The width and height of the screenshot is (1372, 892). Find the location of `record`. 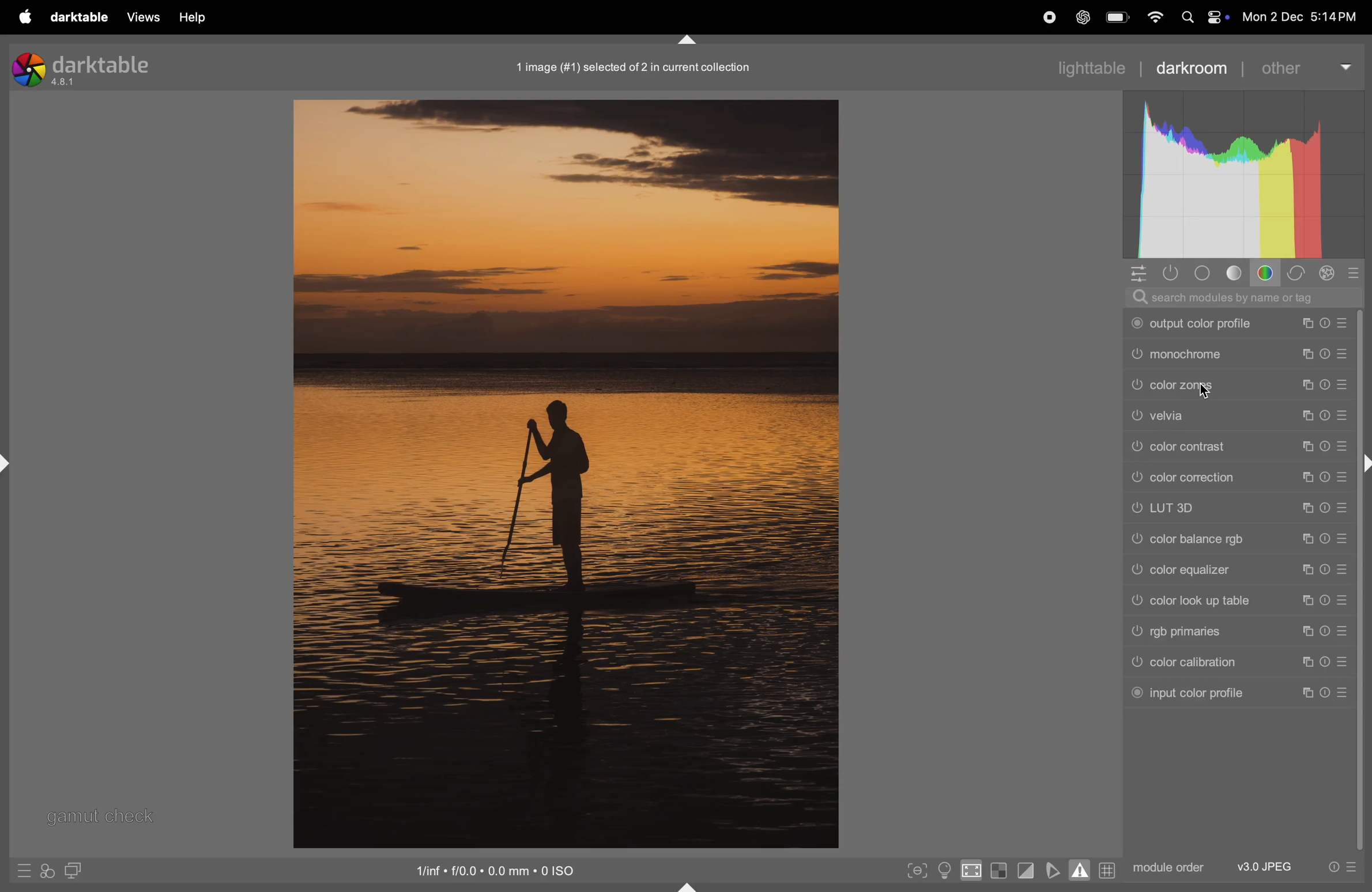

record is located at coordinates (1049, 20).